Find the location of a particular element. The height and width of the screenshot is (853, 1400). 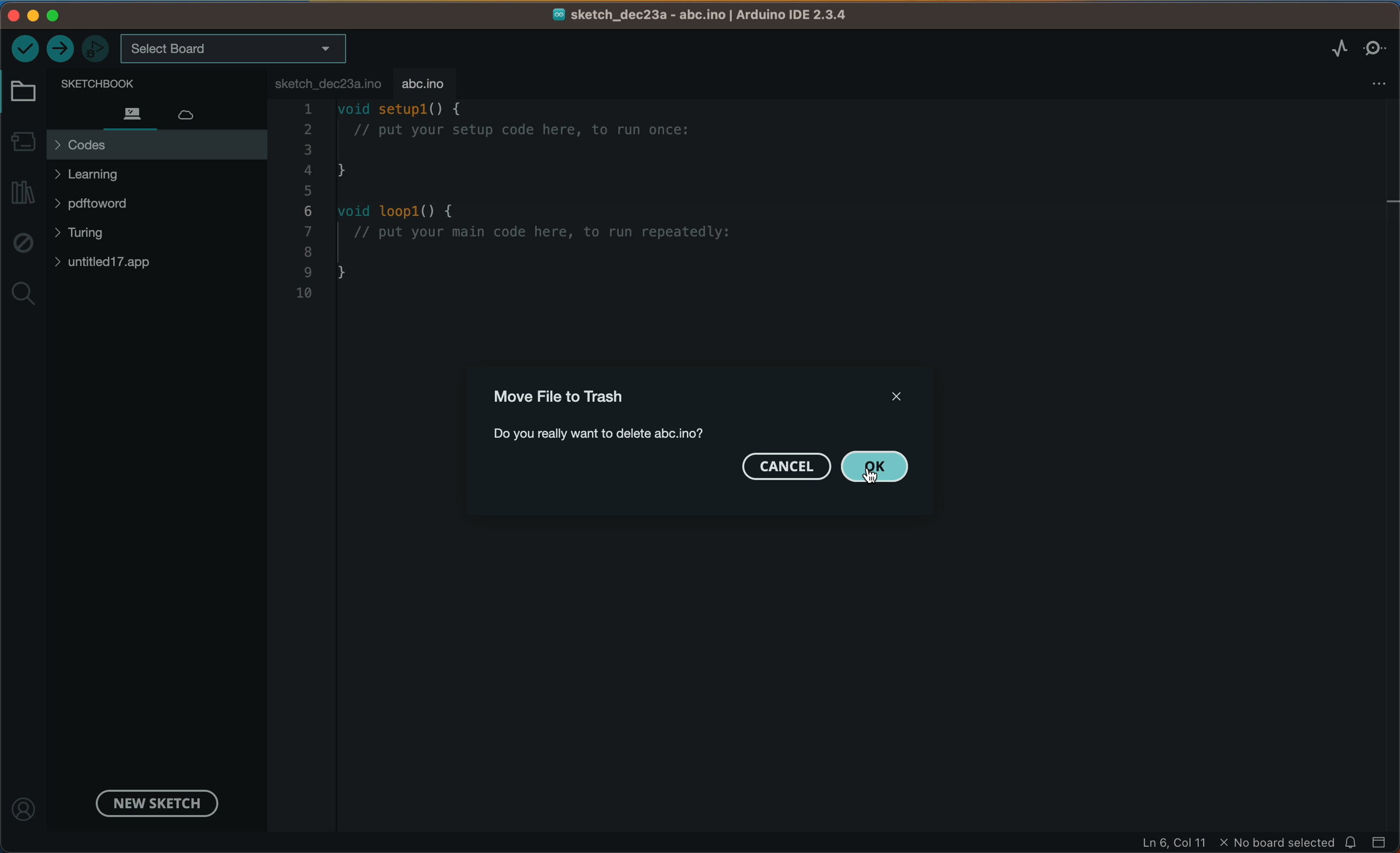

serial plotter is located at coordinates (1338, 46).